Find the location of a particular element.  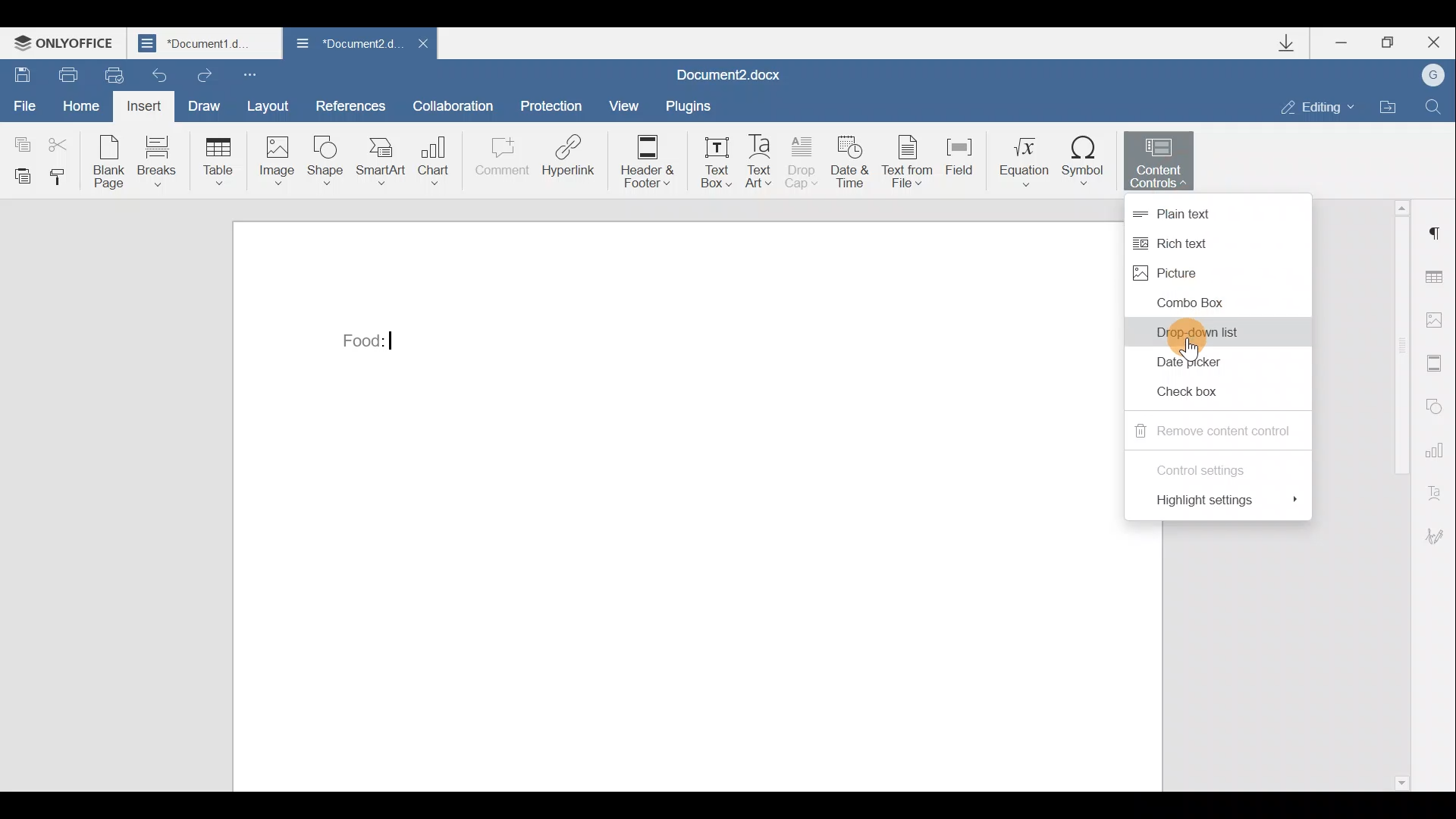

Scroll bar is located at coordinates (1397, 493).